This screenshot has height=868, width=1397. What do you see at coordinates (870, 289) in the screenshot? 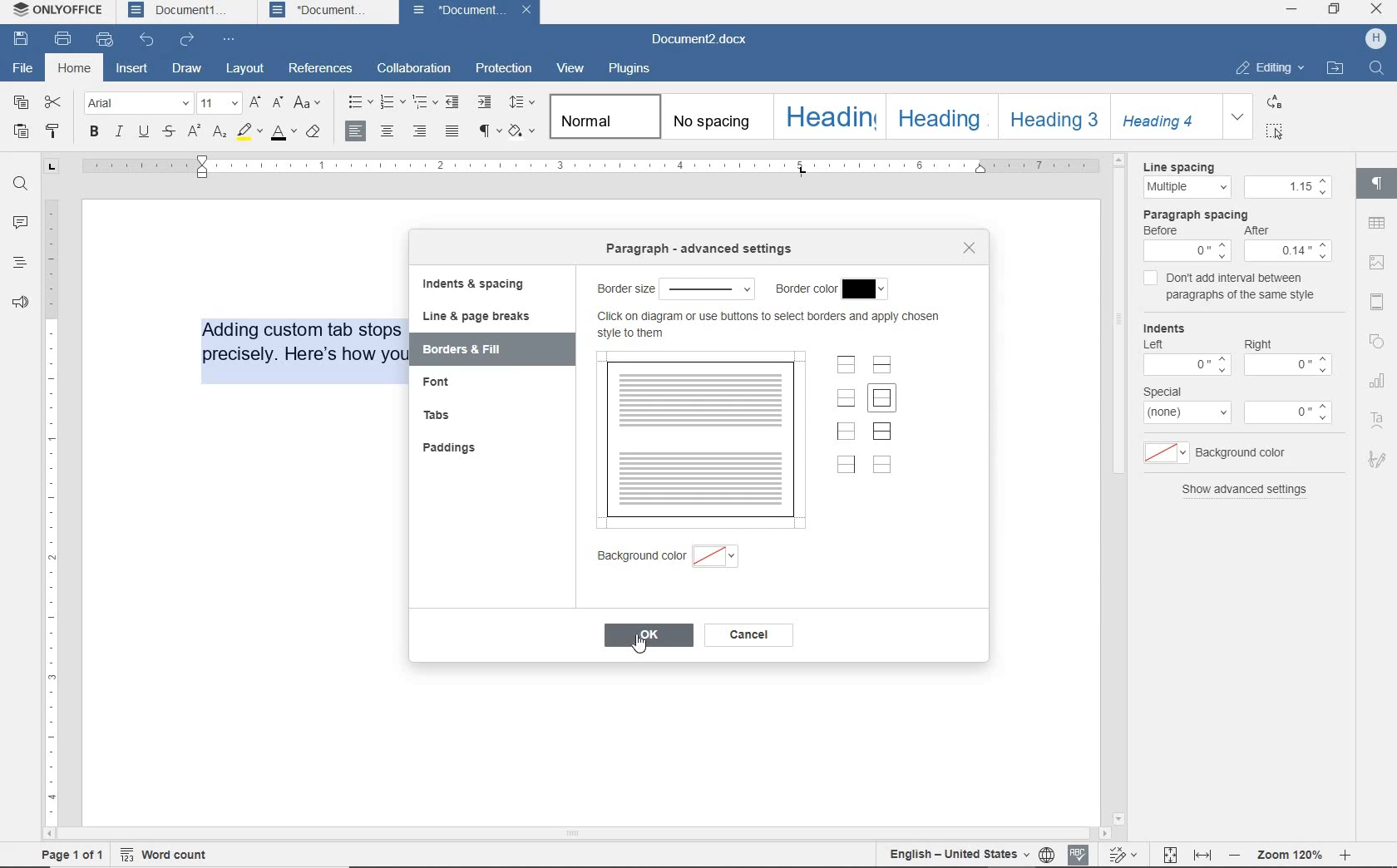
I see `border color menu` at bounding box center [870, 289].